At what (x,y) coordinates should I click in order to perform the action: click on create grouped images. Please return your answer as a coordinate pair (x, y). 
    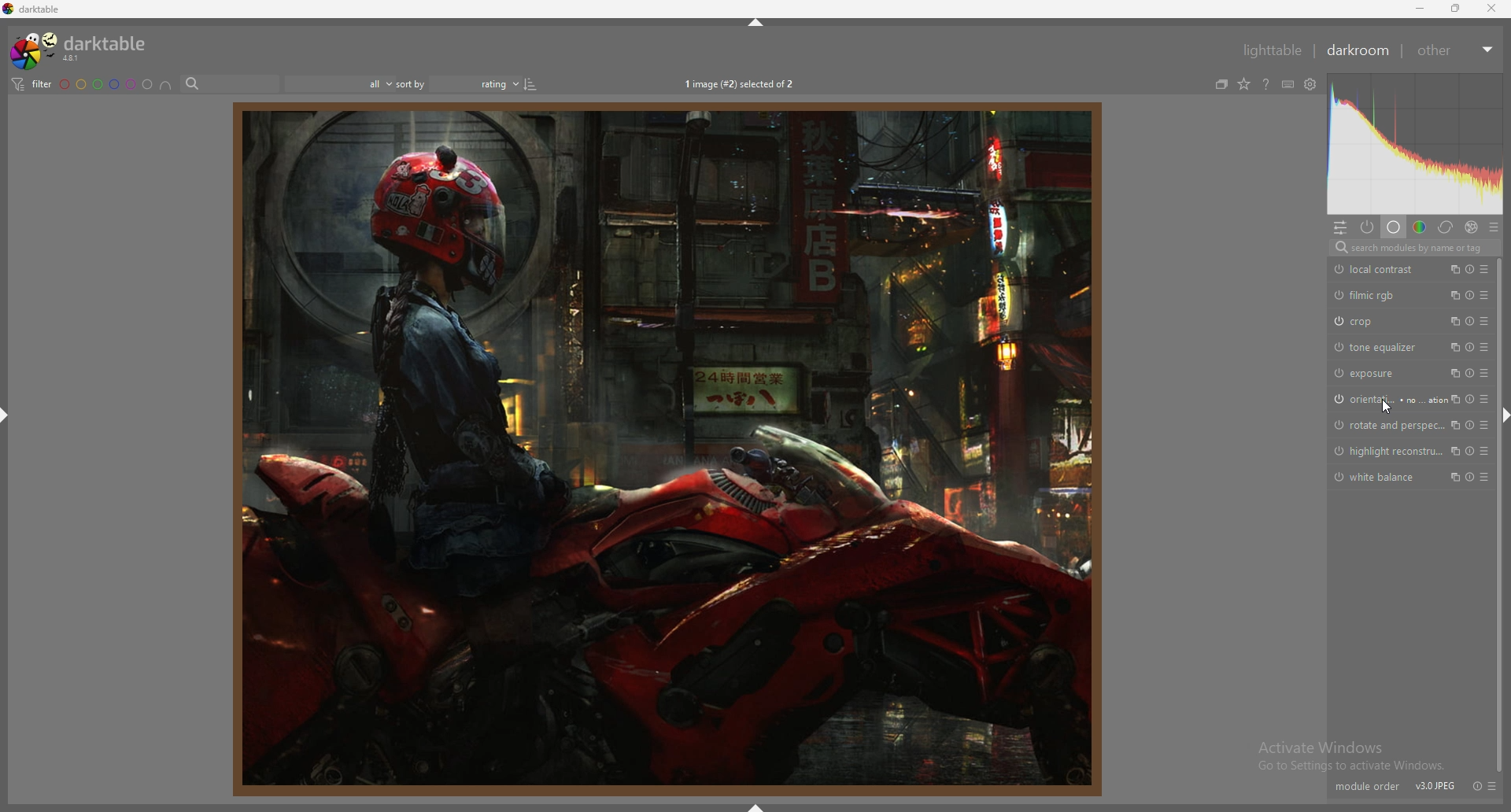
    Looking at the image, I should click on (1223, 83).